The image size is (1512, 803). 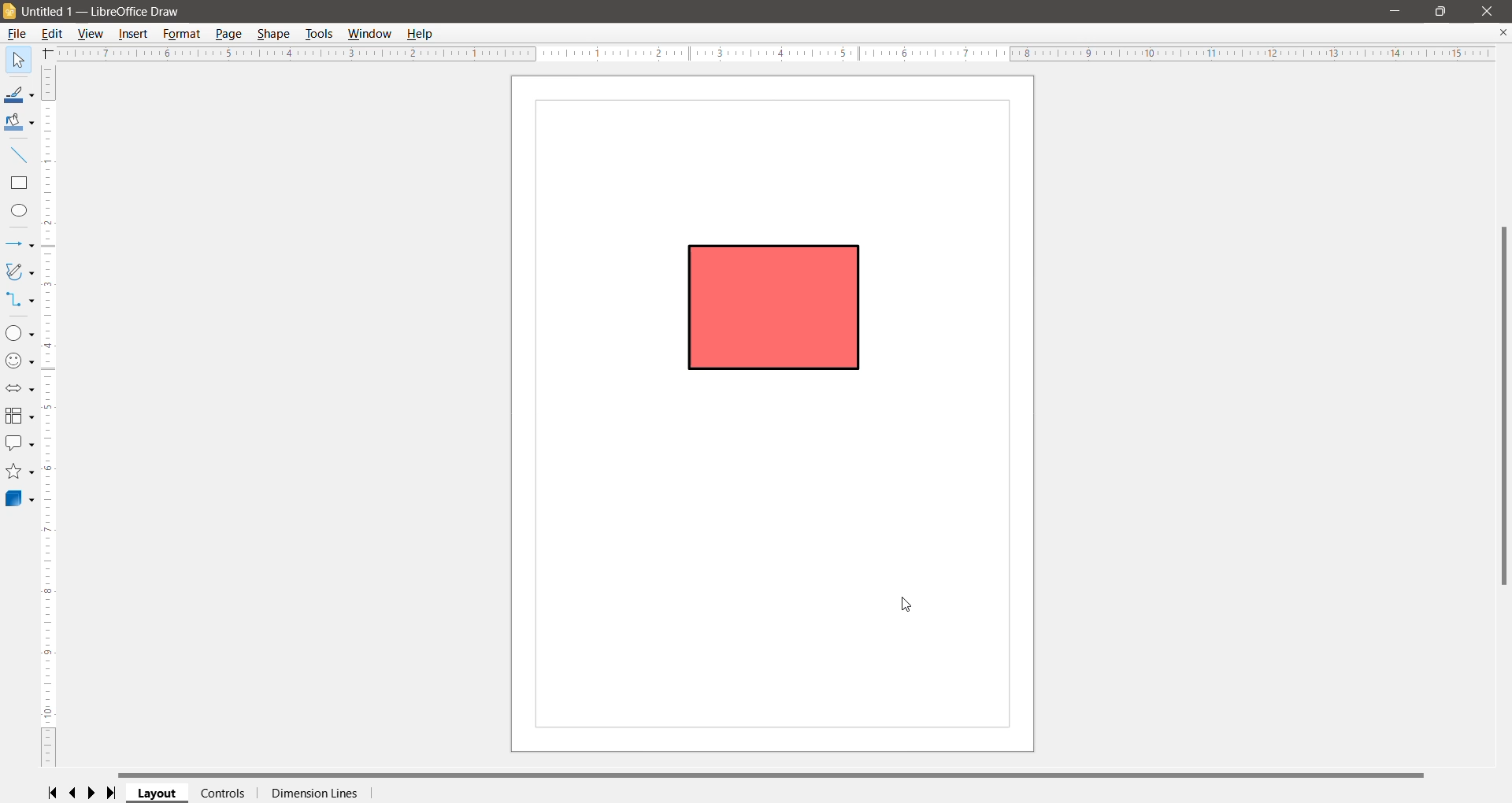 I want to click on Layout, so click(x=157, y=794).